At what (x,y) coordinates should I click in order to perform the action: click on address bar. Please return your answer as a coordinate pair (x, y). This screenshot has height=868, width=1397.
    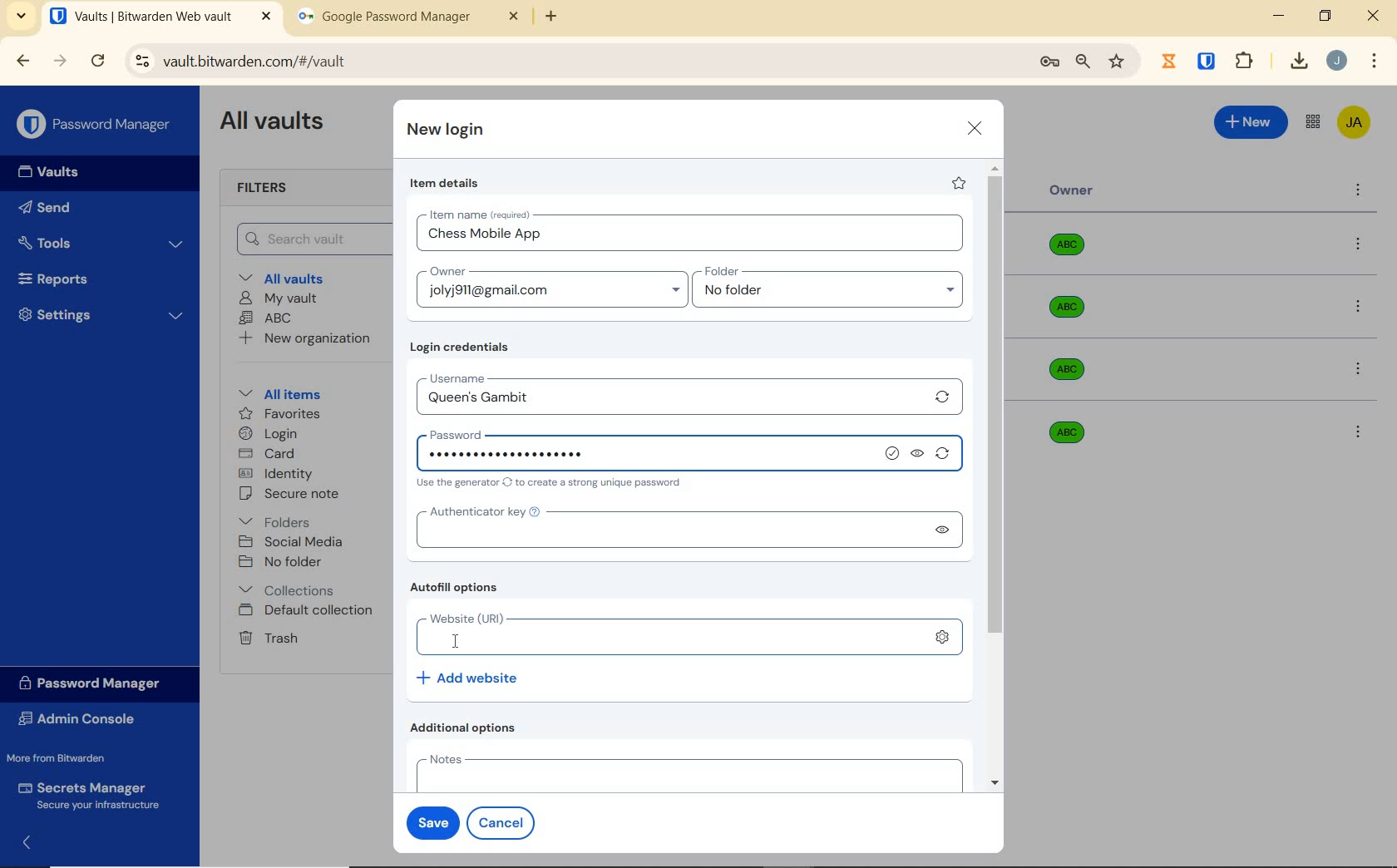
    Looking at the image, I should click on (573, 62).